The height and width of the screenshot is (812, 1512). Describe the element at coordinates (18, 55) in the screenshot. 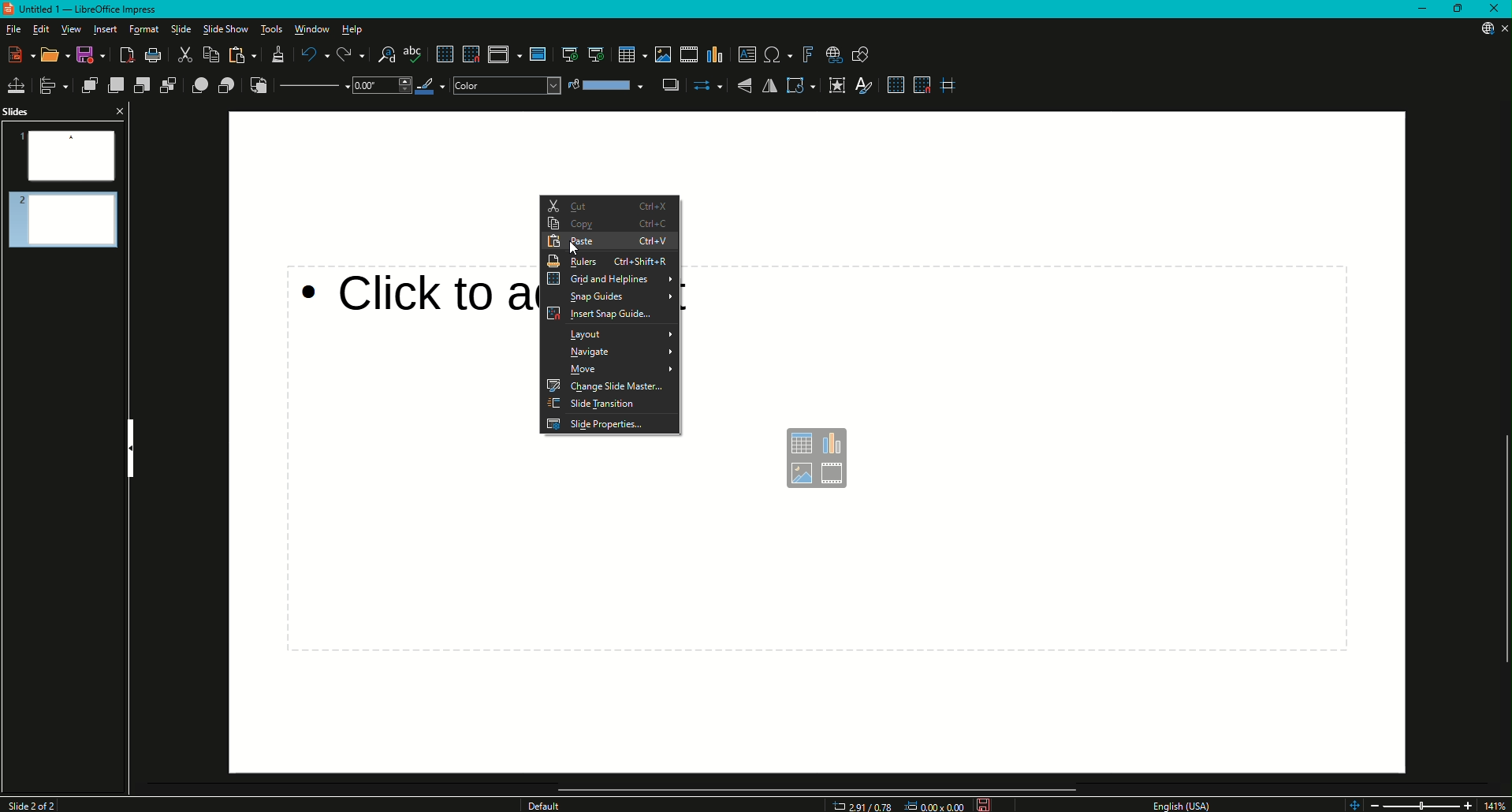

I see `New` at that location.